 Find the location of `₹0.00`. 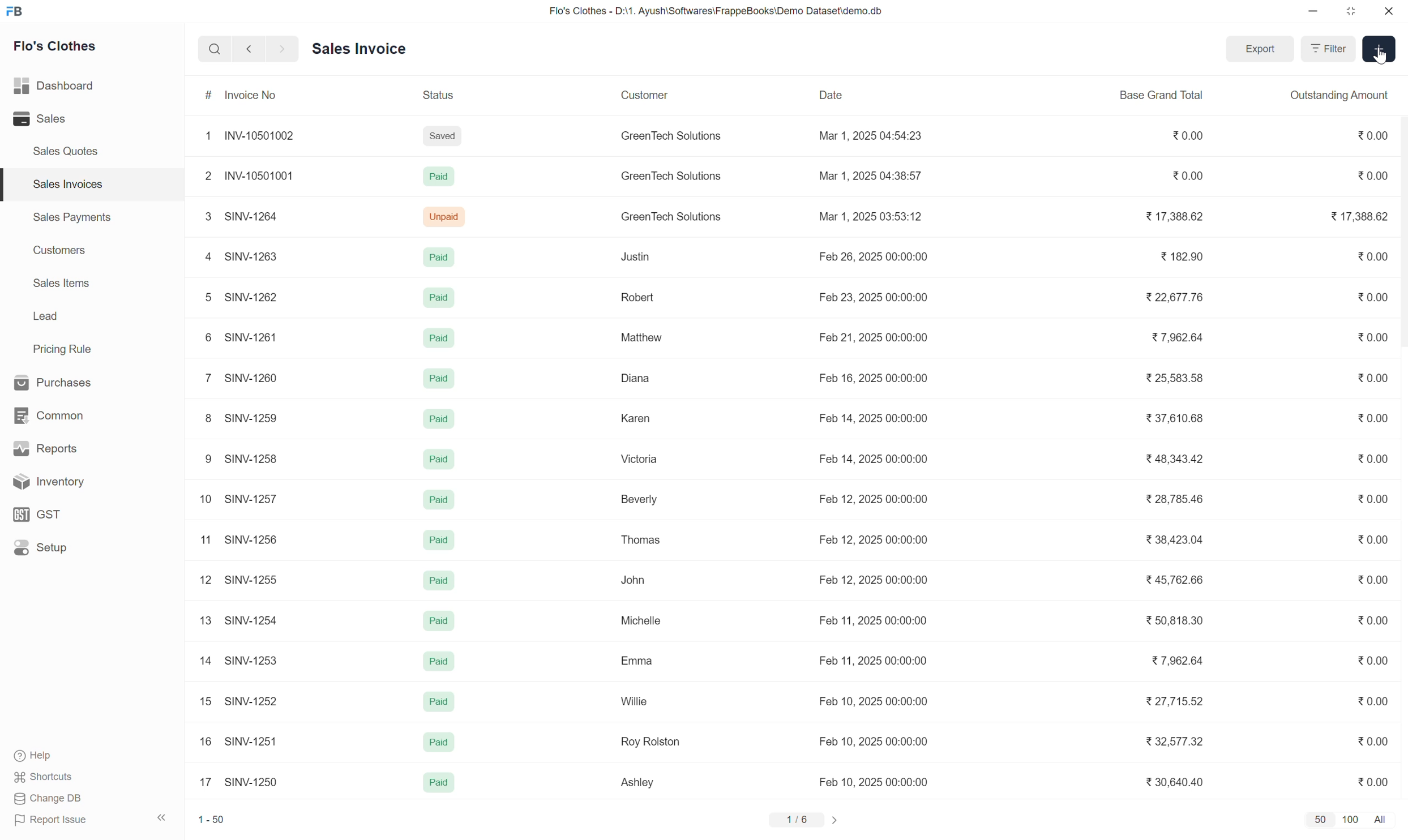

₹0.00 is located at coordinates (1372, 705).